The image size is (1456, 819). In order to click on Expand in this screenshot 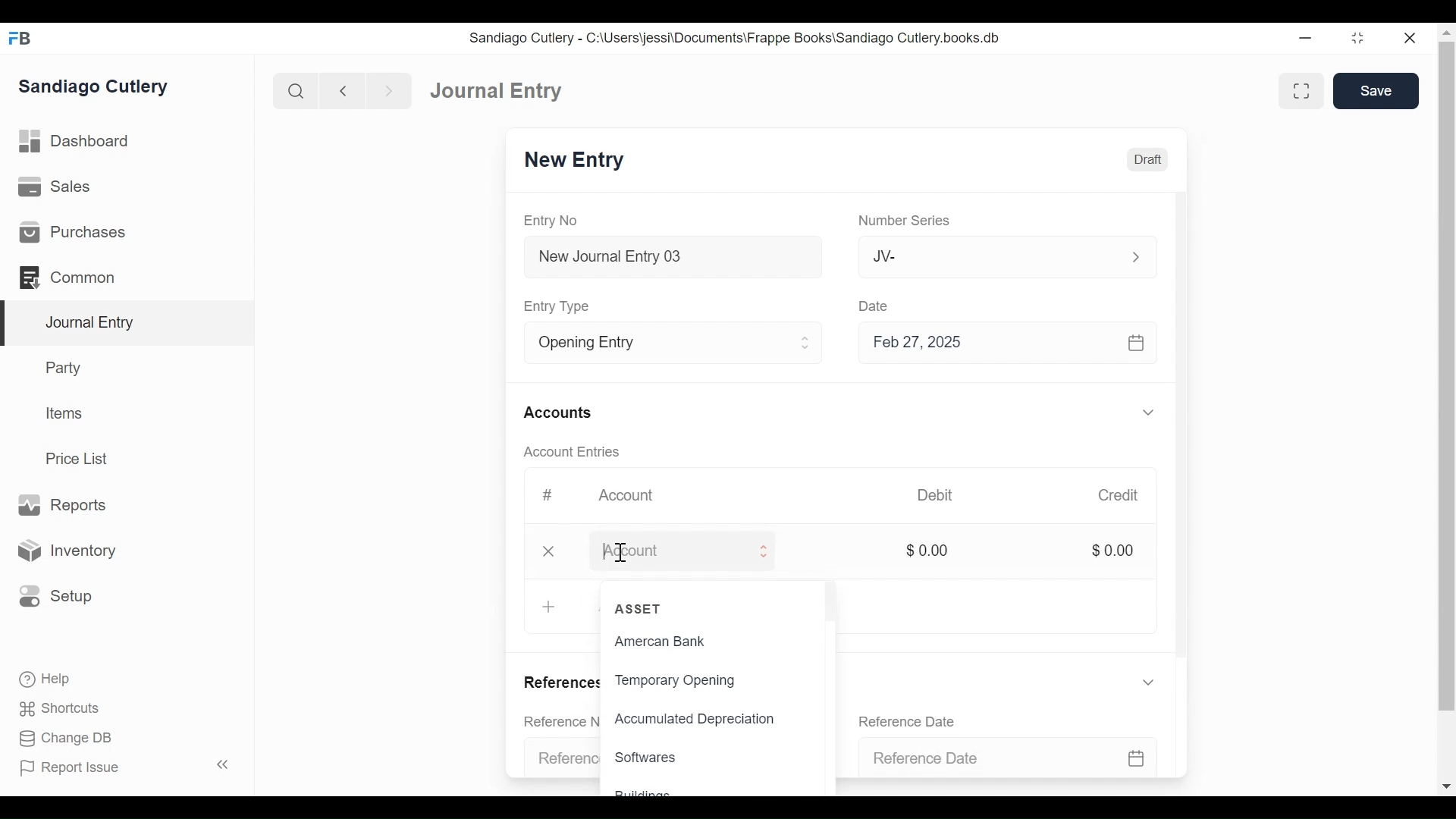, I will do `click(1134, 257)`.